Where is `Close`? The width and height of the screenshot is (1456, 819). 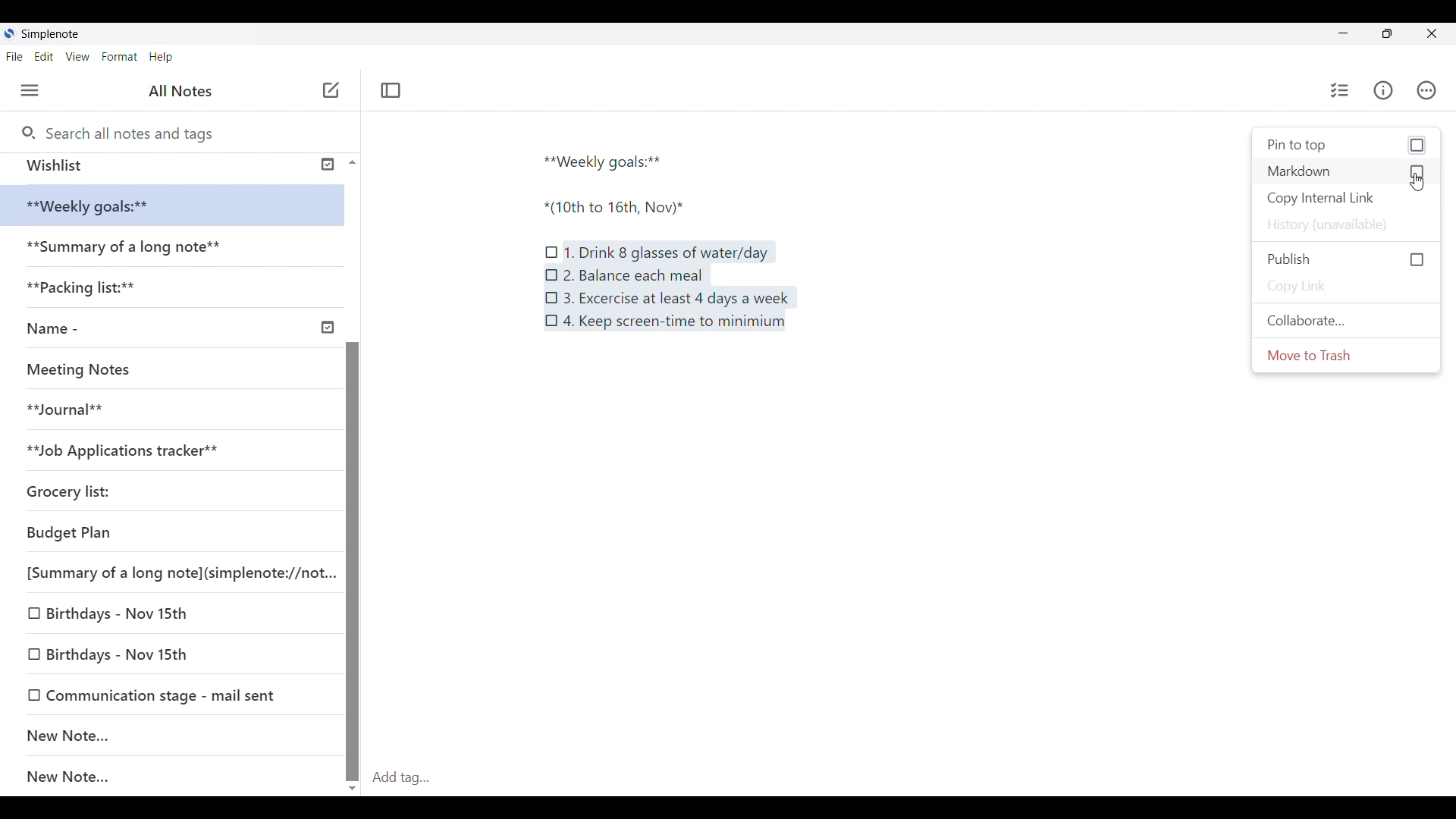
Close is located at coordinates (1438, 33).